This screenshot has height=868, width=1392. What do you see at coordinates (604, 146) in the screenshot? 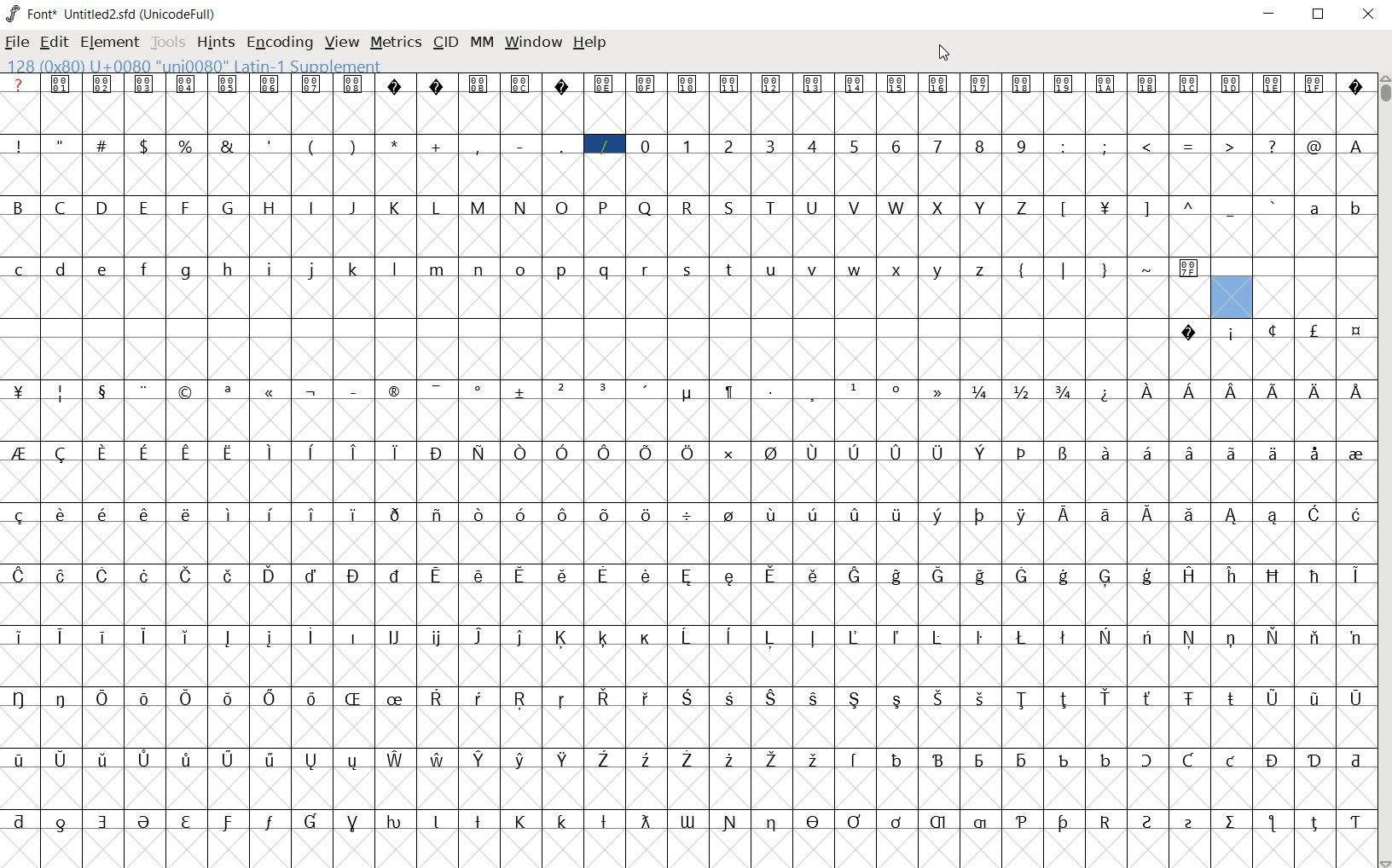
I see `glyph` at bounding box center [604, 146].